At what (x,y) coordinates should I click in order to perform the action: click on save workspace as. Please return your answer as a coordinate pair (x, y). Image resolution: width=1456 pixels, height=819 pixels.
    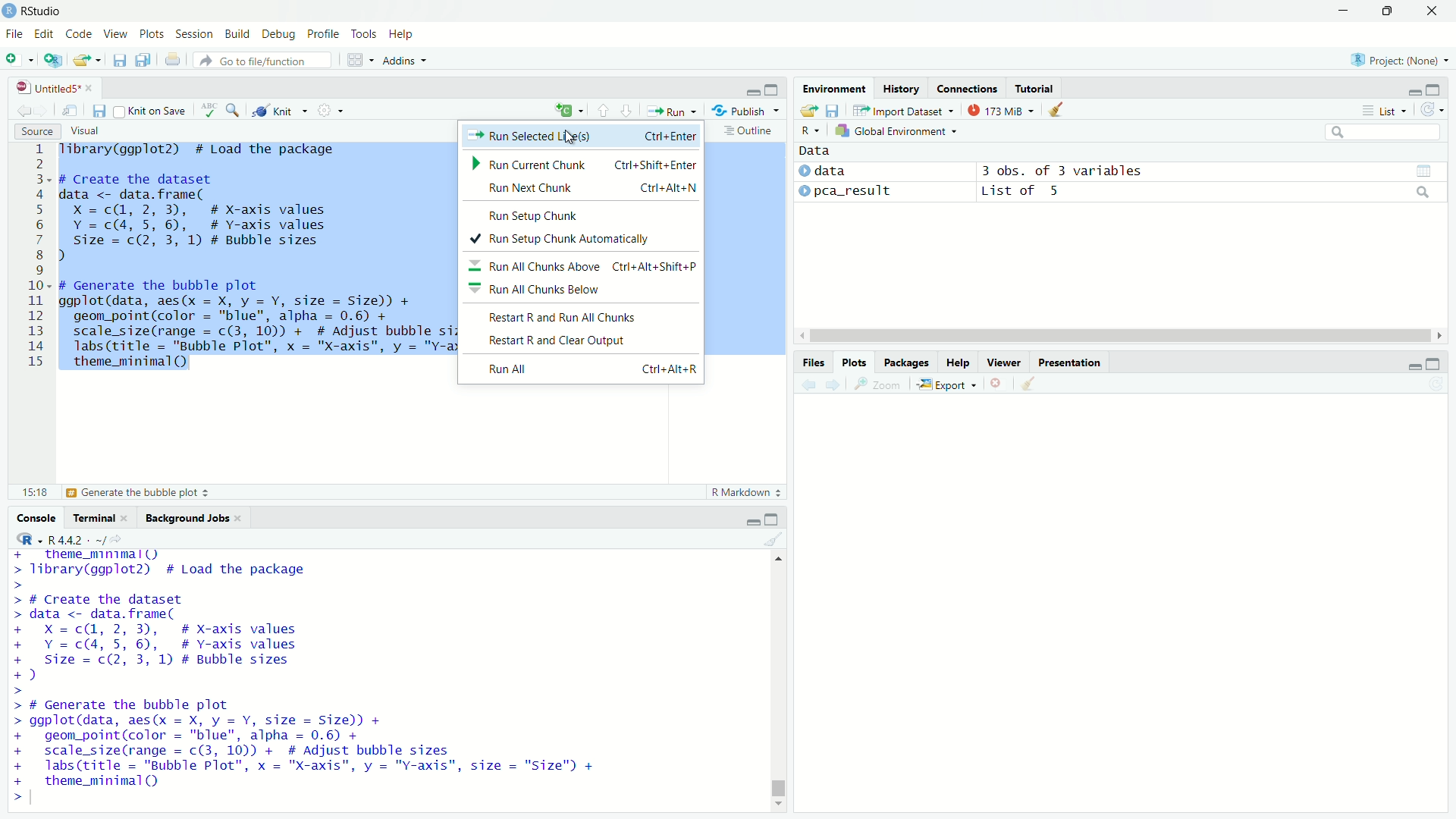
    Looking at the image, I should click on (833, 110).